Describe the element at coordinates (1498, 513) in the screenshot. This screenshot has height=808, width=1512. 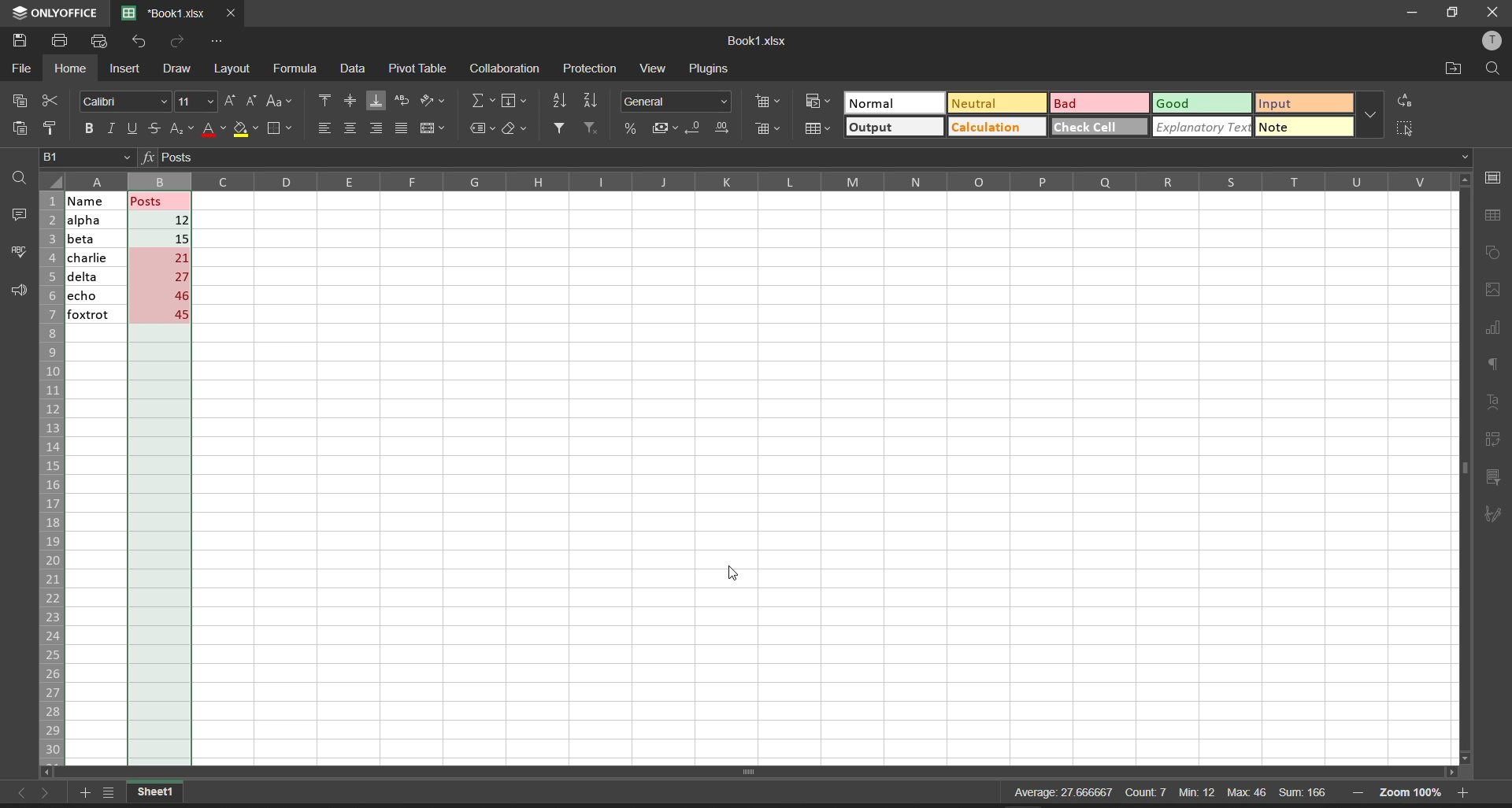
I see `signature settings` at that location.